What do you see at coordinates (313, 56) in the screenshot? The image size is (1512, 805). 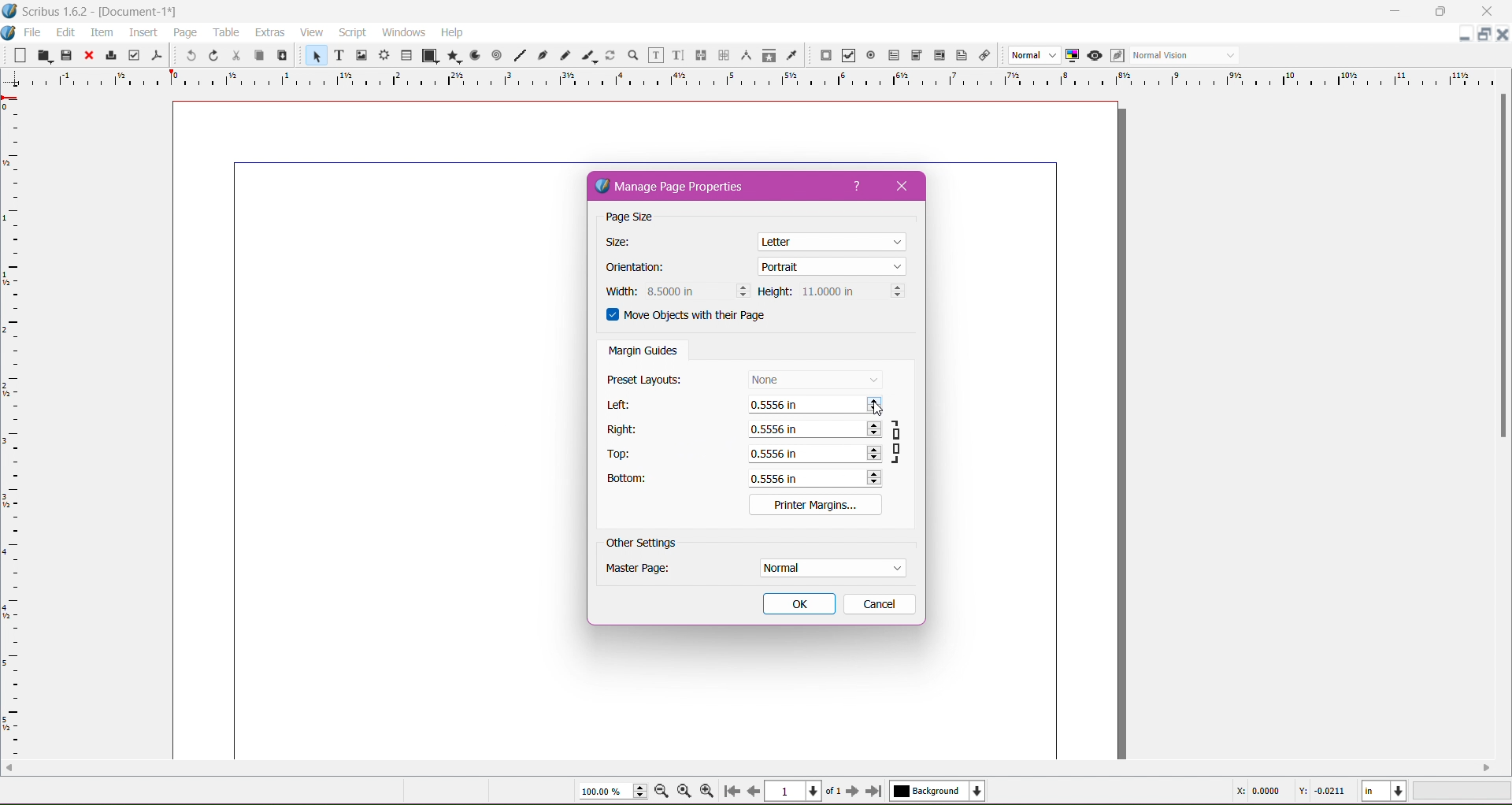 I see `Select Item` at bounding box center [313, 56].